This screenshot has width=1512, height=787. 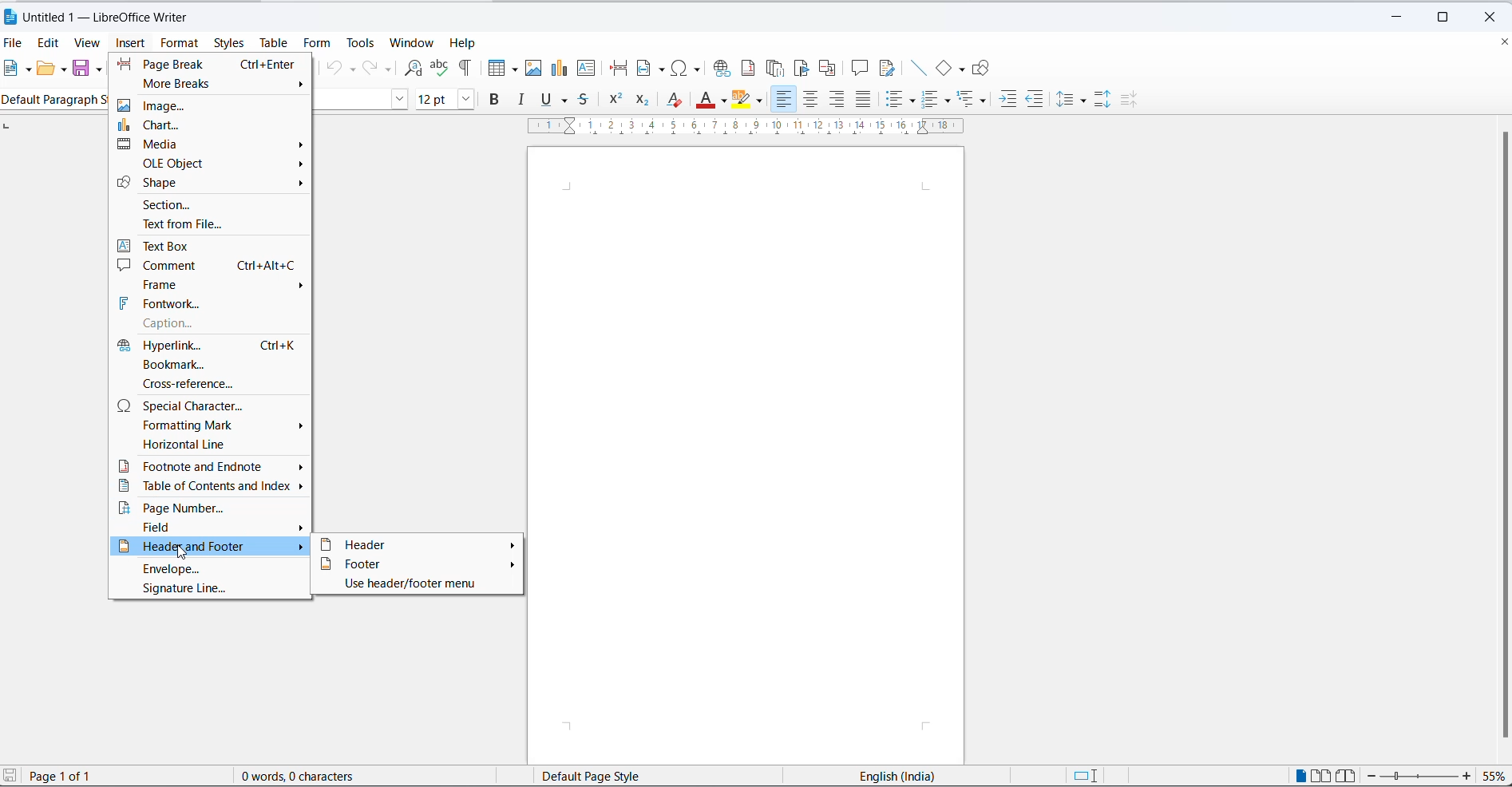 I want to click on find and replace, so click(x=414, y=66).